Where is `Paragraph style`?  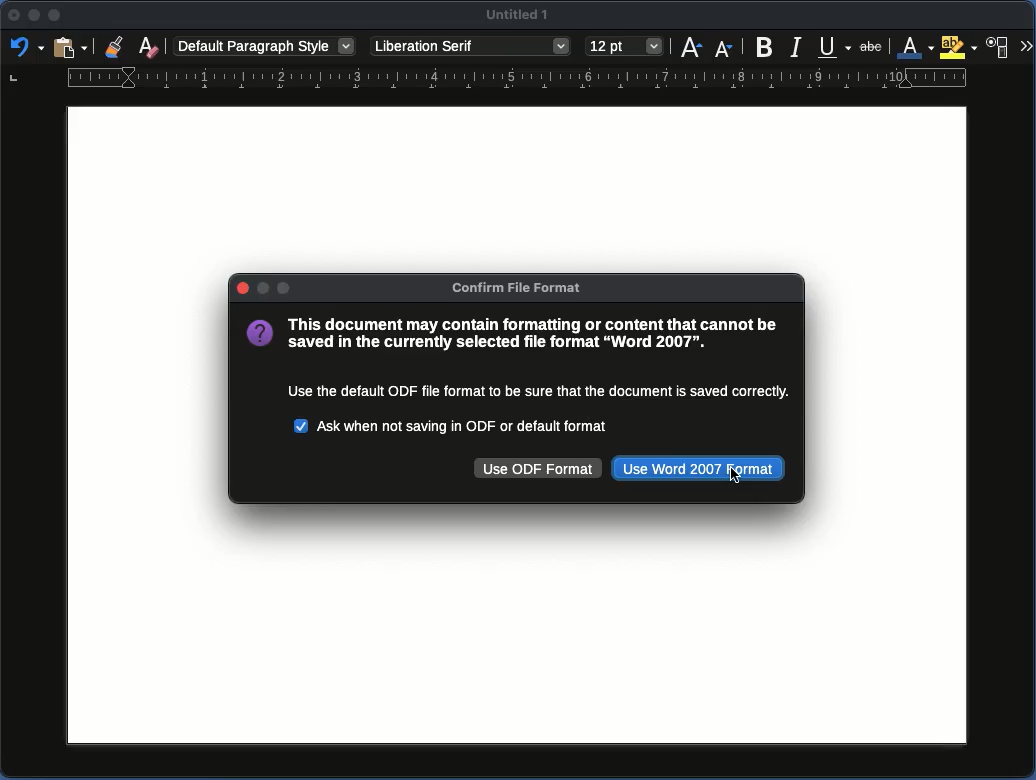 Paragraph style is located at coordinates (265, 45).